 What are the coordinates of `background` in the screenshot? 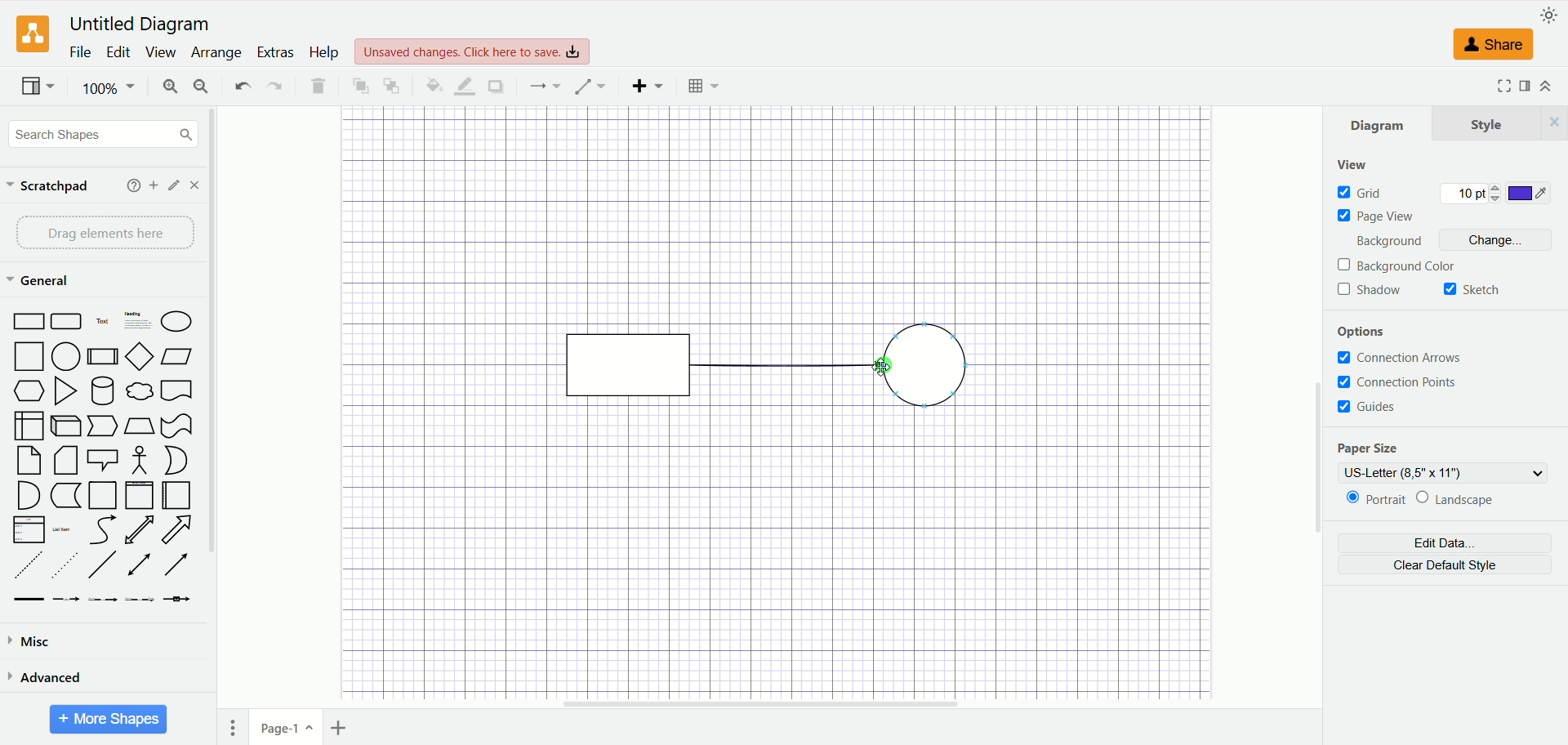 It's located at (1383, 243).